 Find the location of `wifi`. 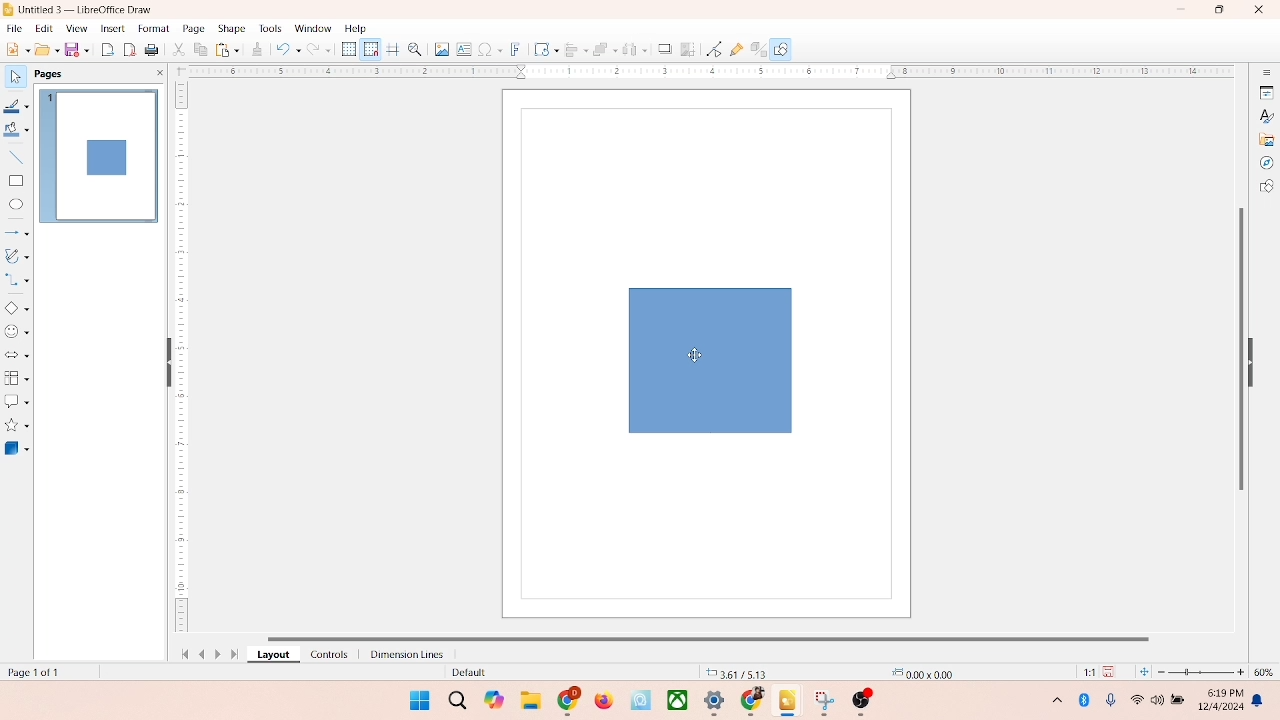

wifi is located at coordinates (1136, 696).